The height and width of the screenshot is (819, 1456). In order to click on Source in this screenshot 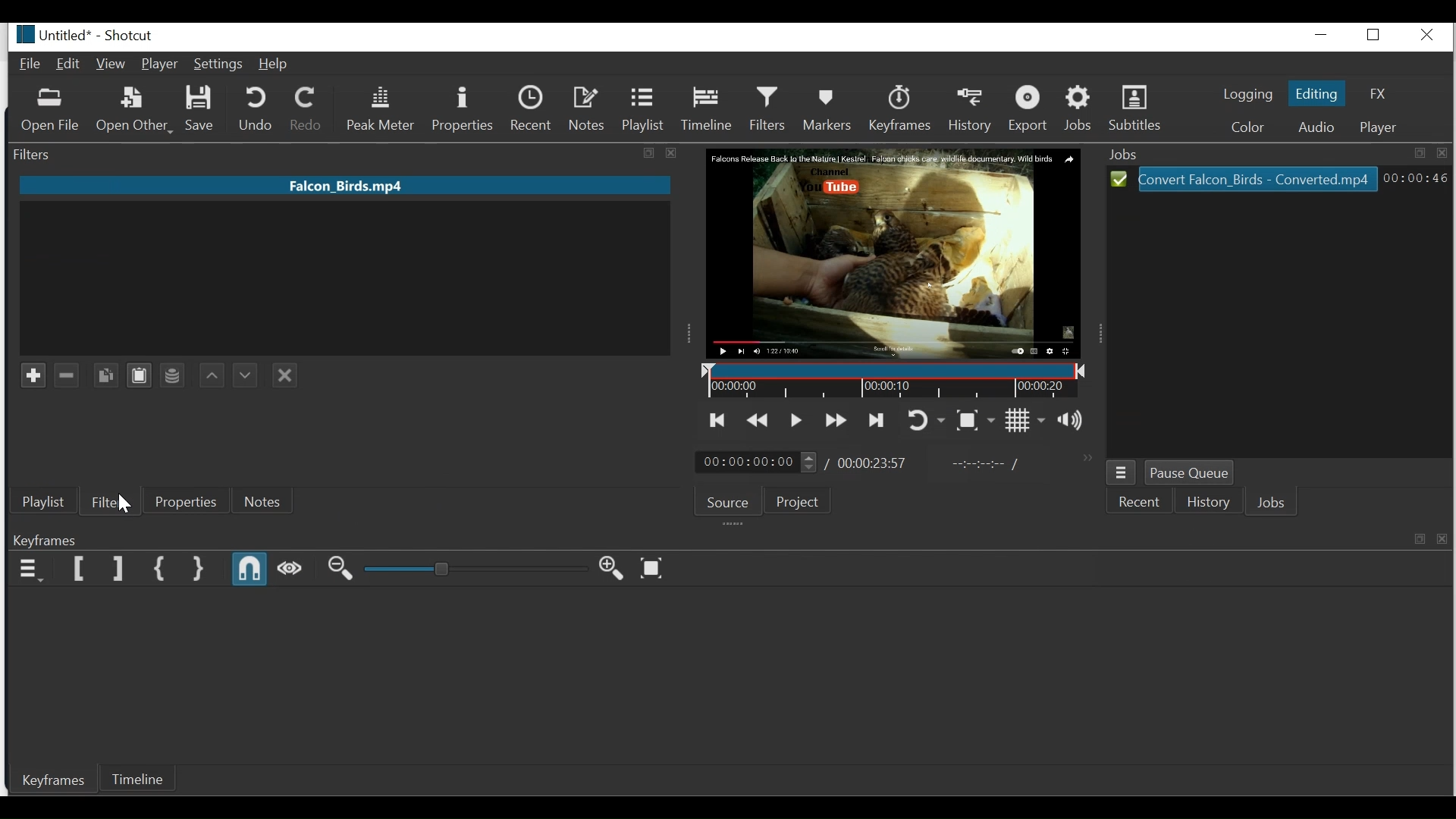, I will do `click(730, 501)`.